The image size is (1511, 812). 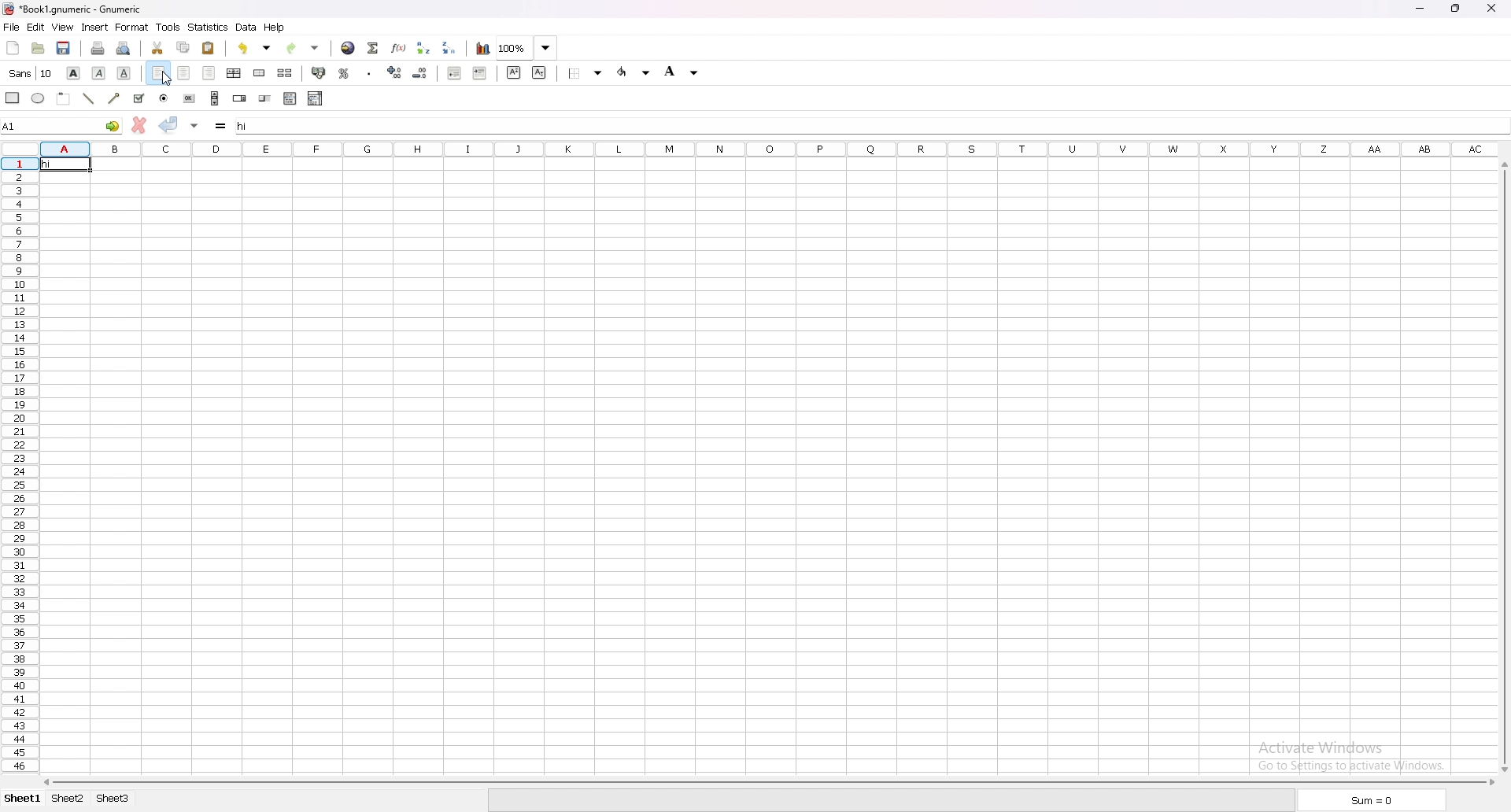 I want to click on cut, so click(x=158, y=49).